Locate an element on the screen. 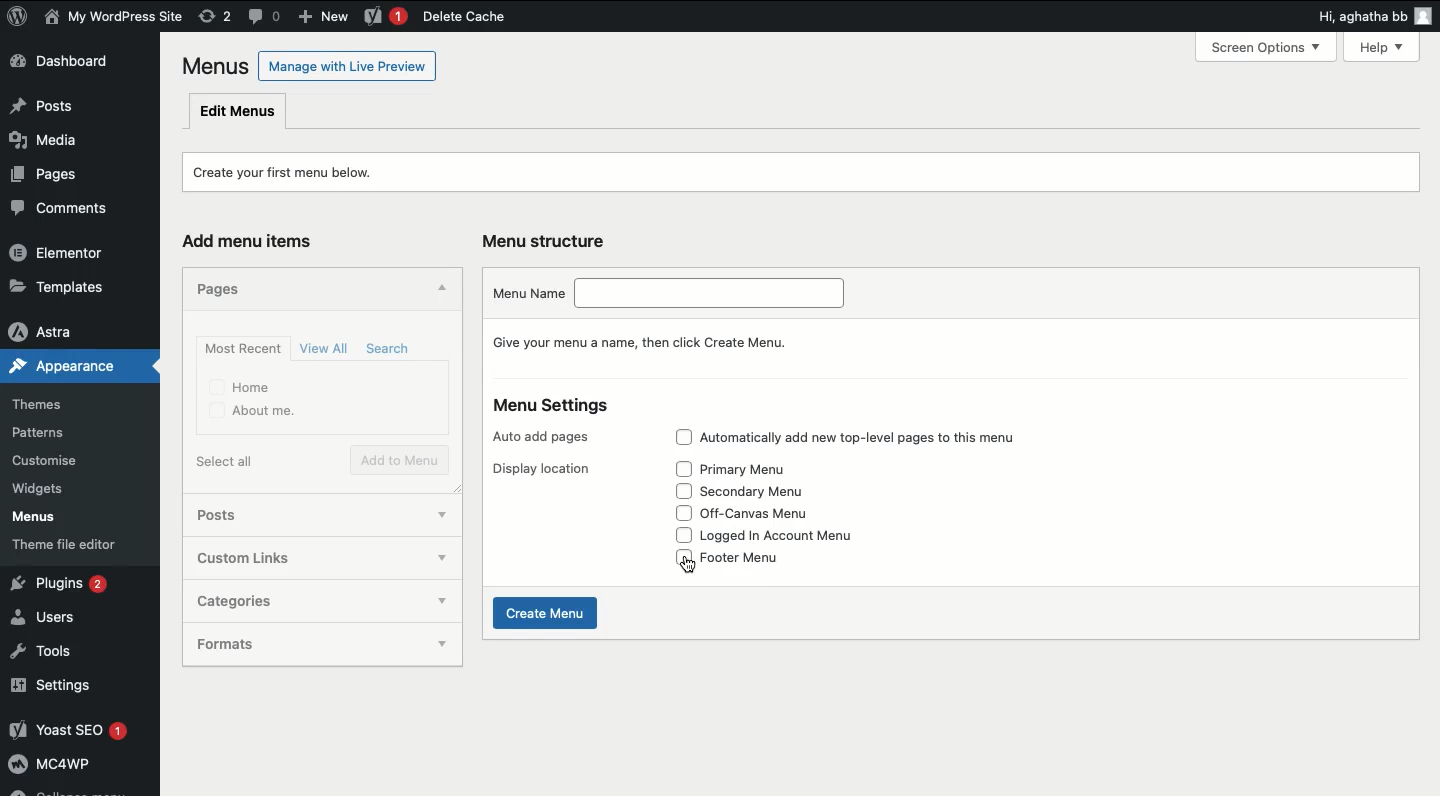  Formats is located at coordinates (302, 644).